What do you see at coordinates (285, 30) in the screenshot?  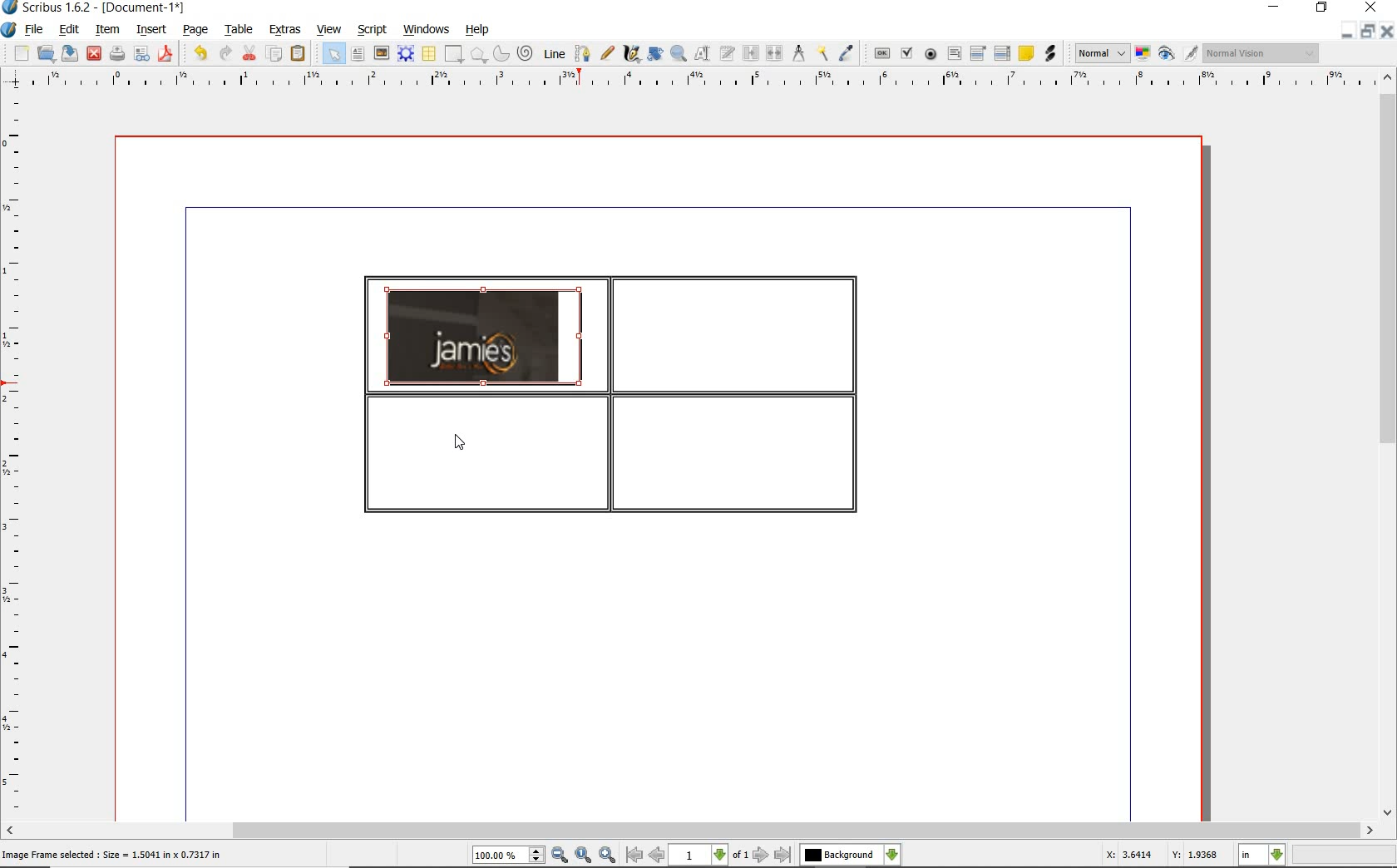 I see `extras` at bounding box center [285, 30].